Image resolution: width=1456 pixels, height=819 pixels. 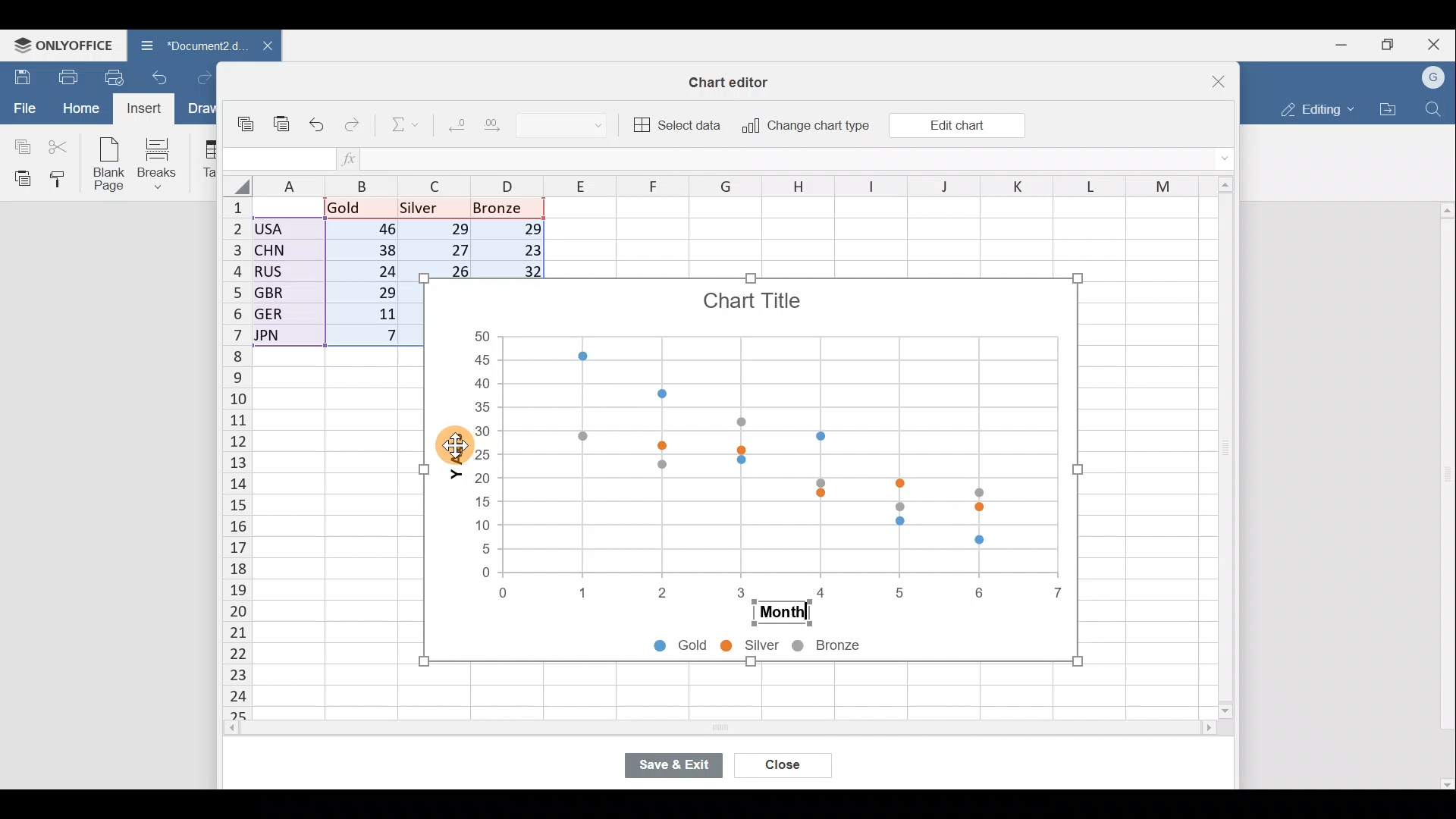 What do you see at coordinates (202, 75) in the screenshot?
I see `Redo` at bounding box center [202, 75].